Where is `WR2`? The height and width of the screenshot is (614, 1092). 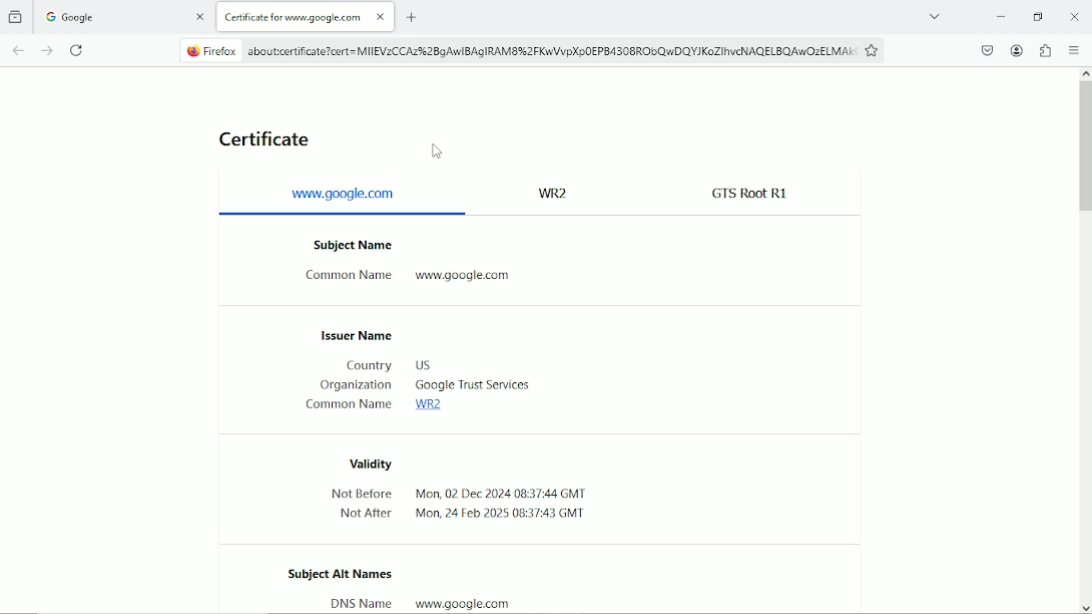 WR2 is located at coordinates (558, 192).